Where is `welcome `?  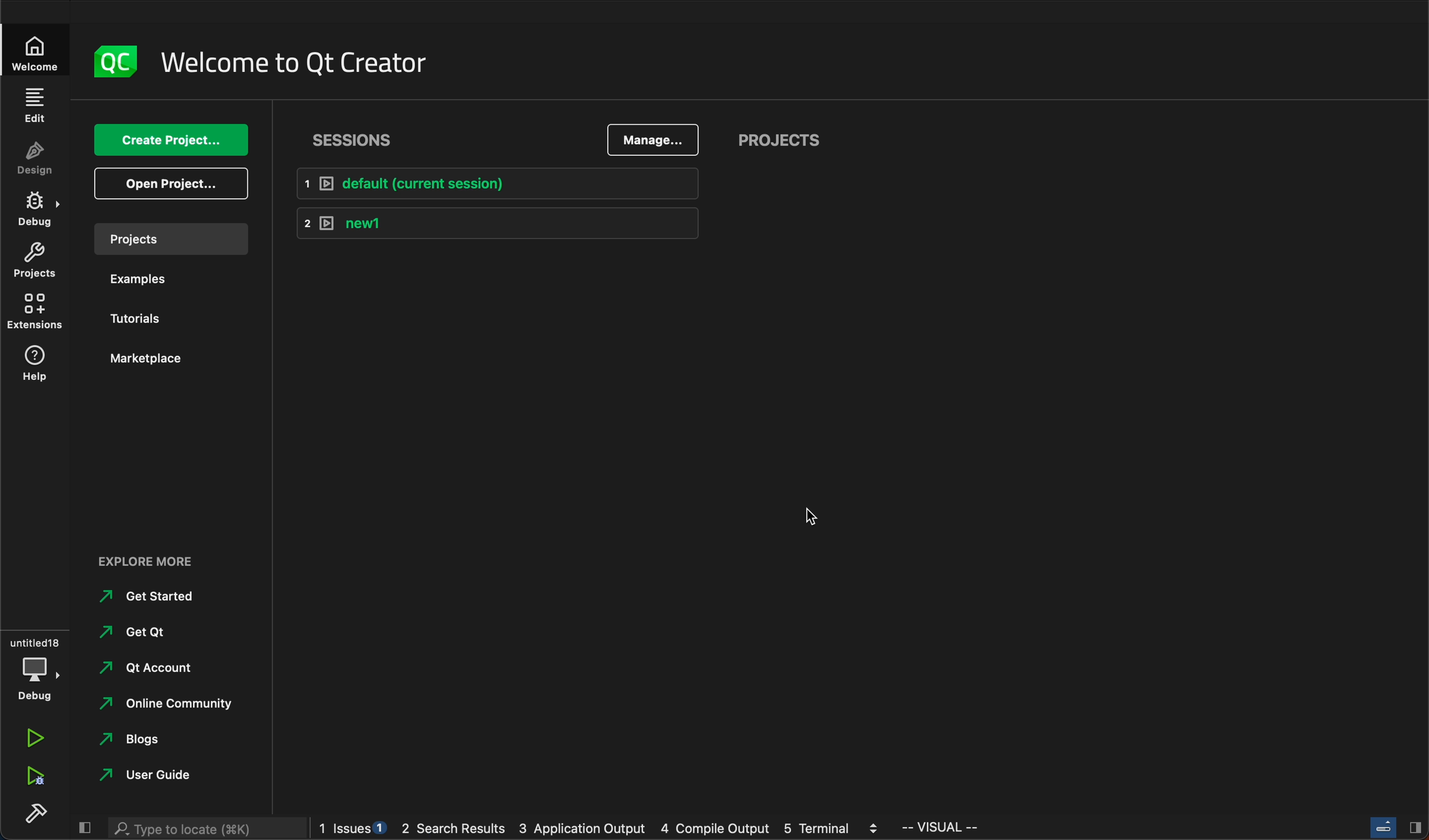 welcome  is located at coordinates (304, 63).